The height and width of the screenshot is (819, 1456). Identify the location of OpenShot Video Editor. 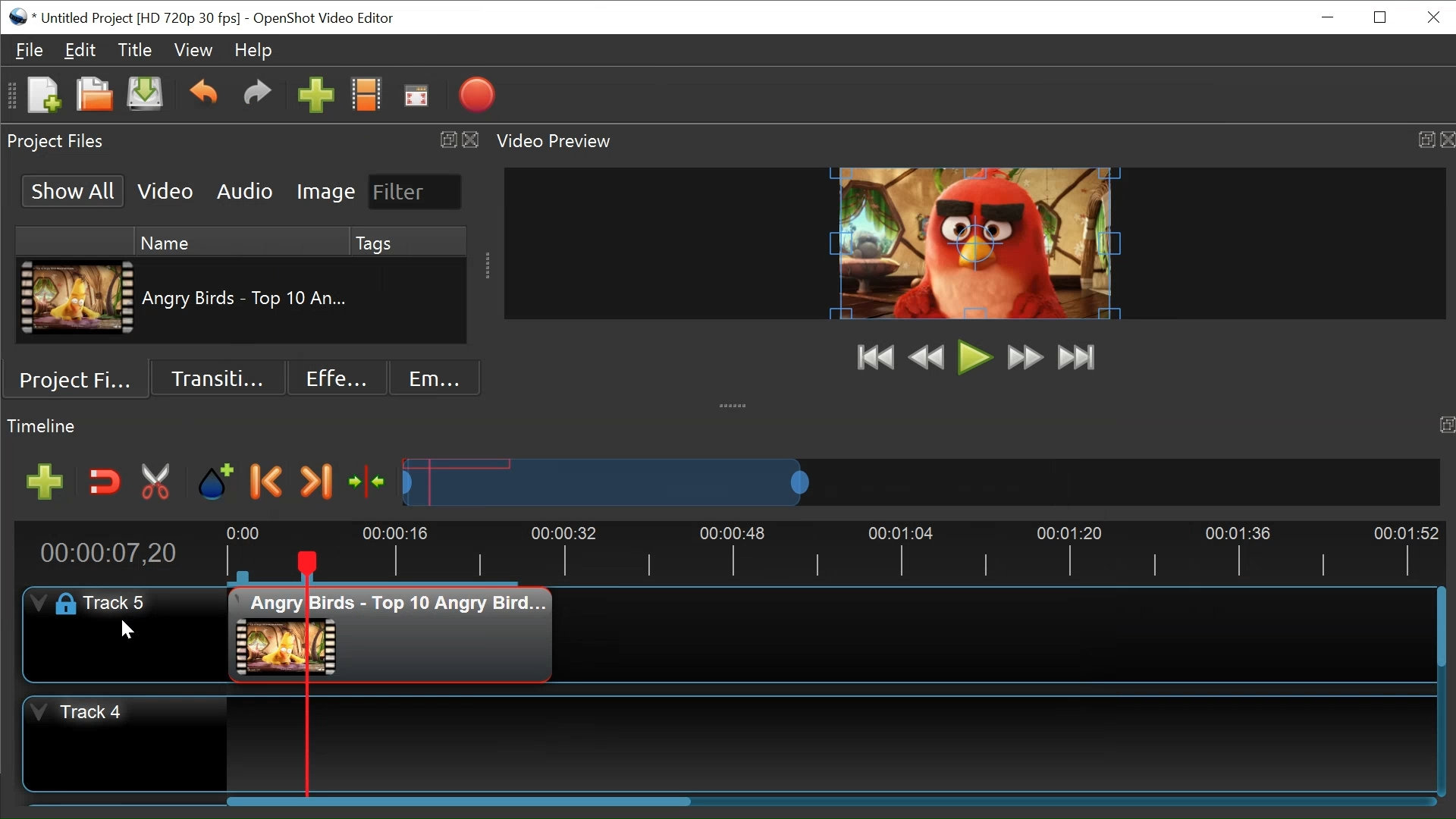
(327, 20).